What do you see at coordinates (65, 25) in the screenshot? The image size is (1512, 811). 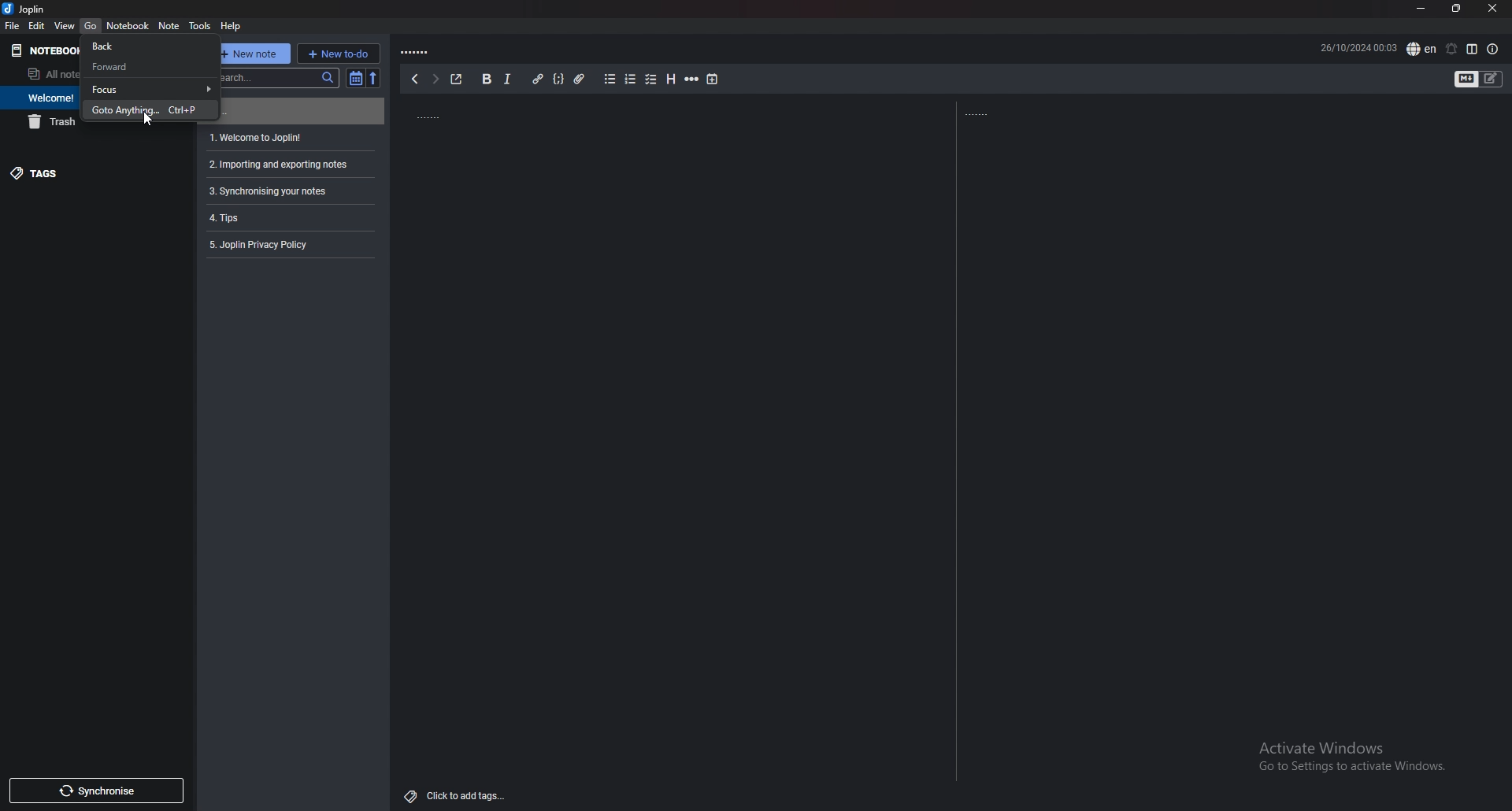 I see `view` at bounding box center [65, 25].